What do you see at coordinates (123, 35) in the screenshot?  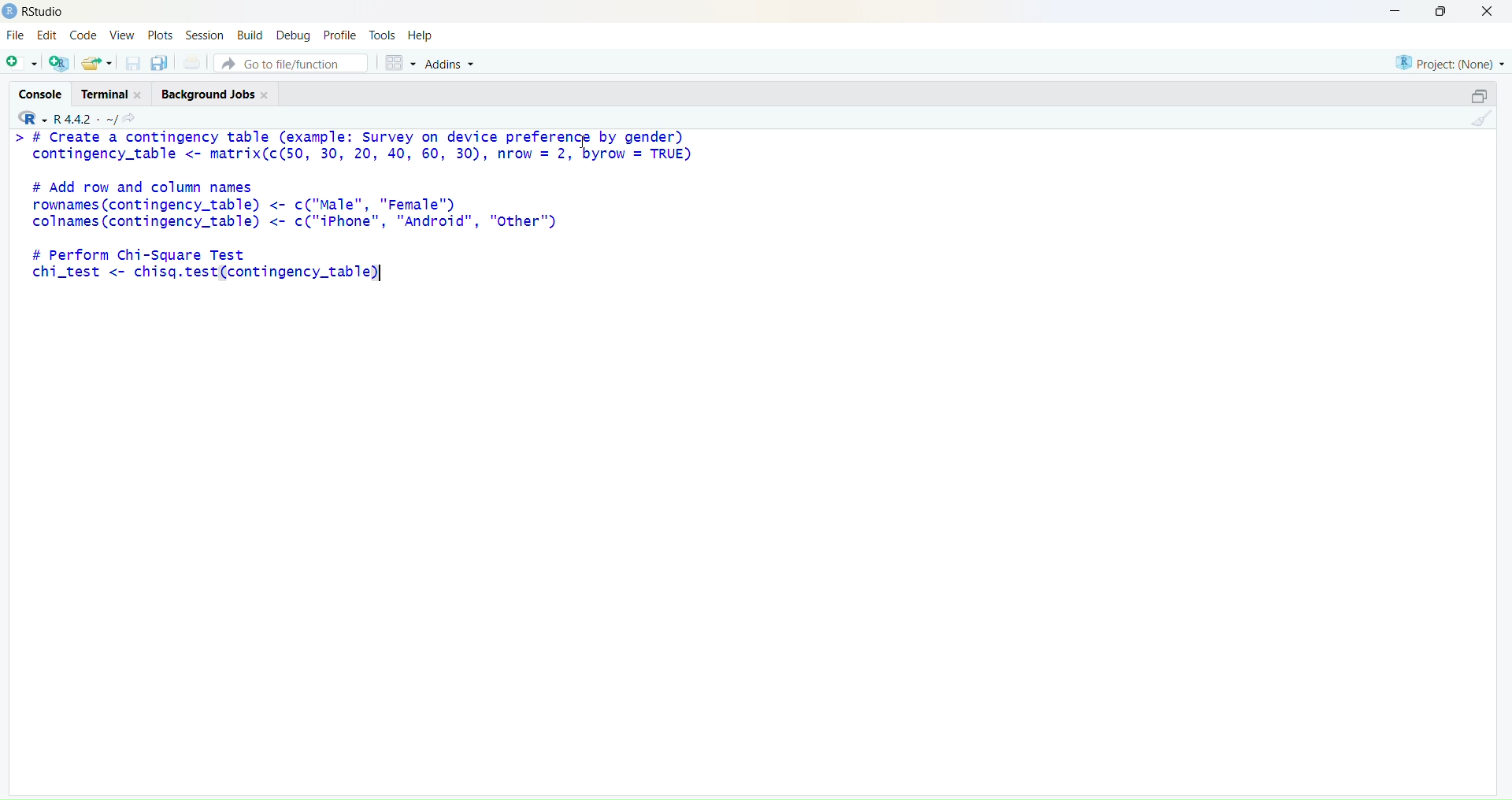 I see `View` at bounding box center [123, 35].